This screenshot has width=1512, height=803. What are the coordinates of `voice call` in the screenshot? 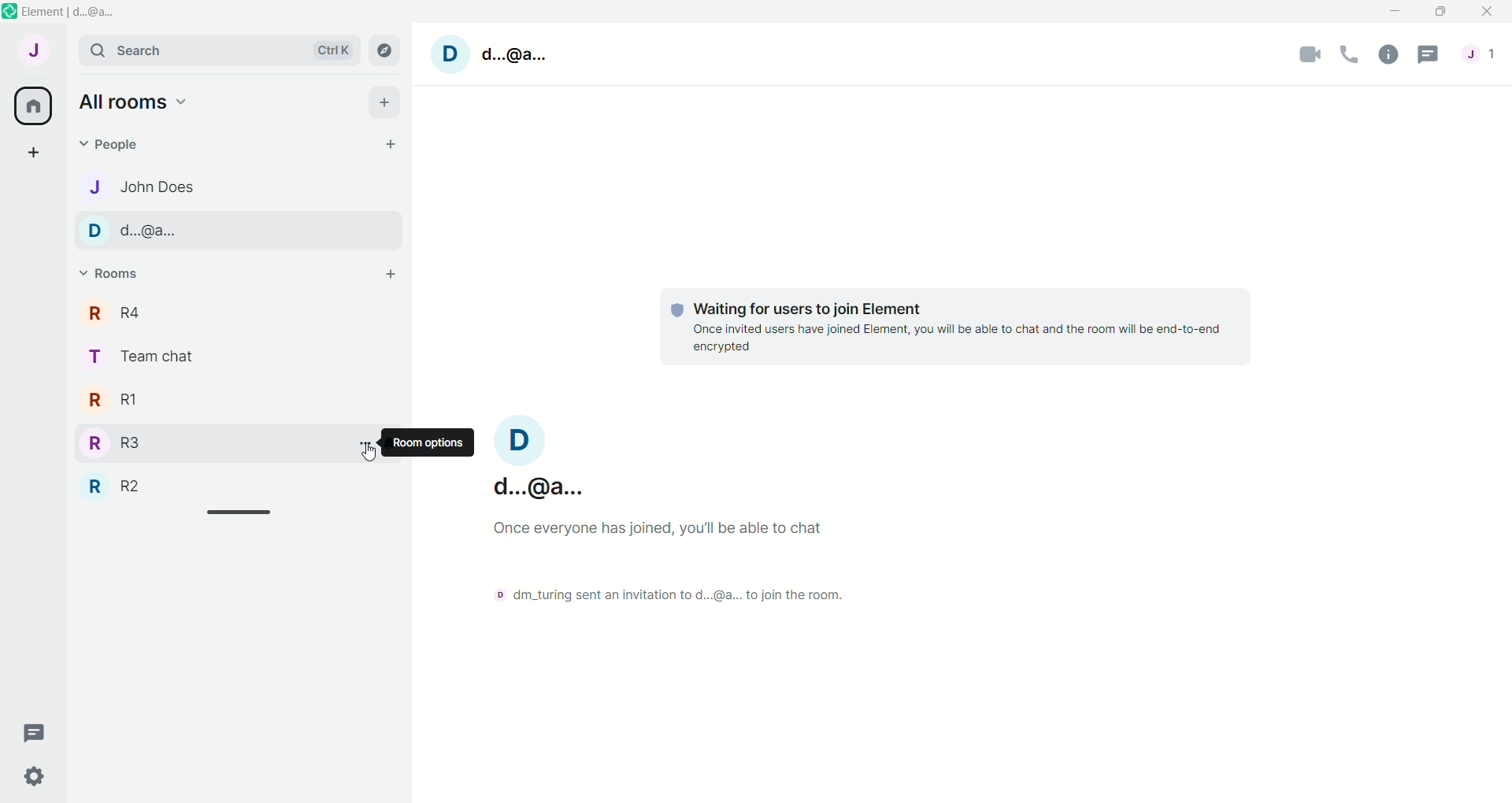 It's located at (1350, 54).